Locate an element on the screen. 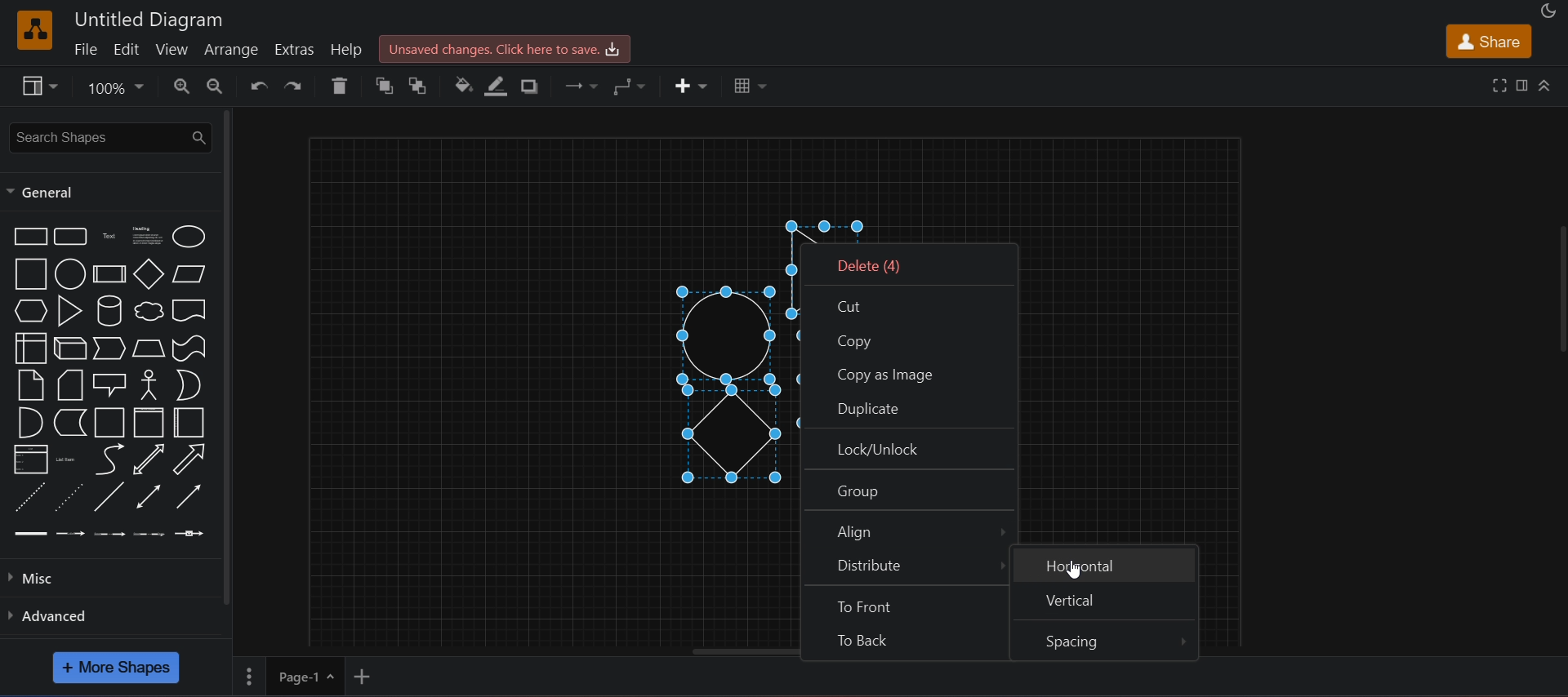 The image size is (1568, 697). vertical scroll bar is located at coordinates (226, 356).